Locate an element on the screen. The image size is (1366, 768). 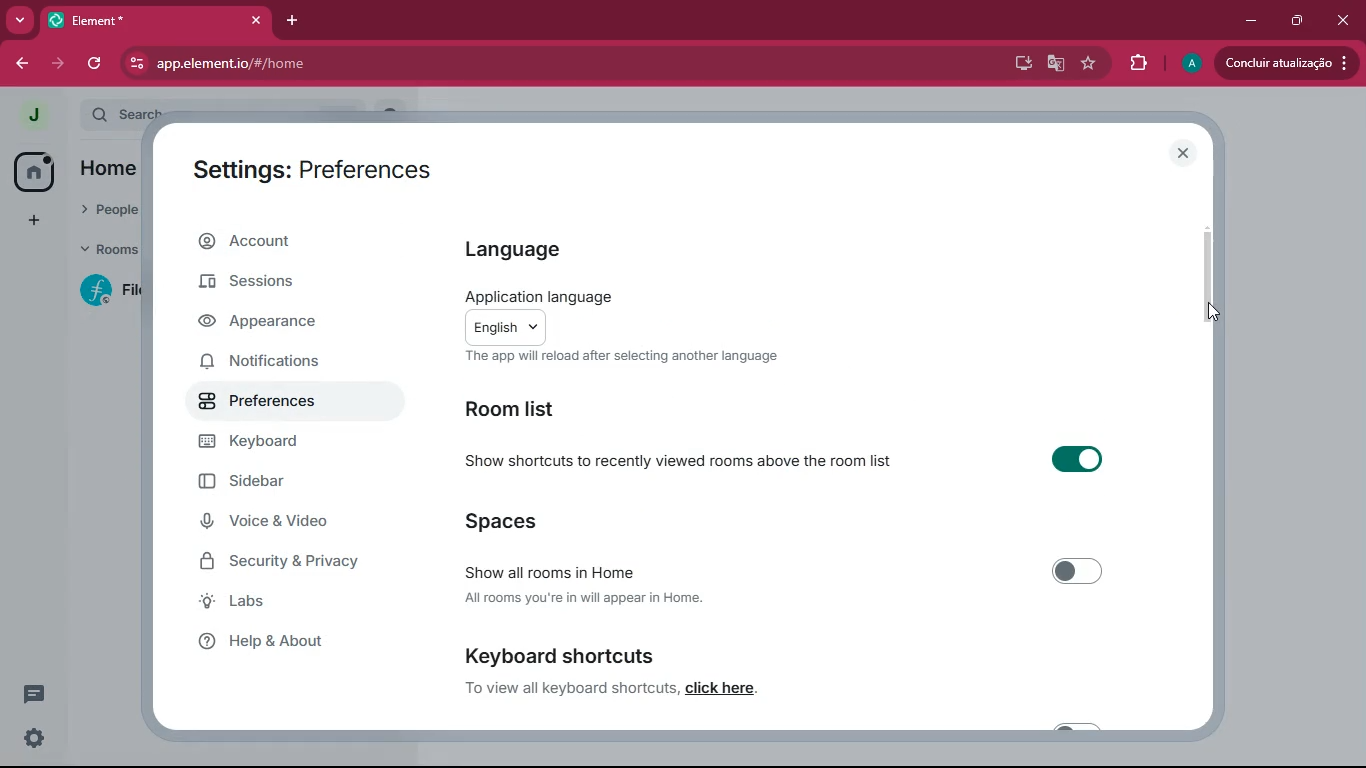
app.element.io/#/home is located at coordinates (365, 63).